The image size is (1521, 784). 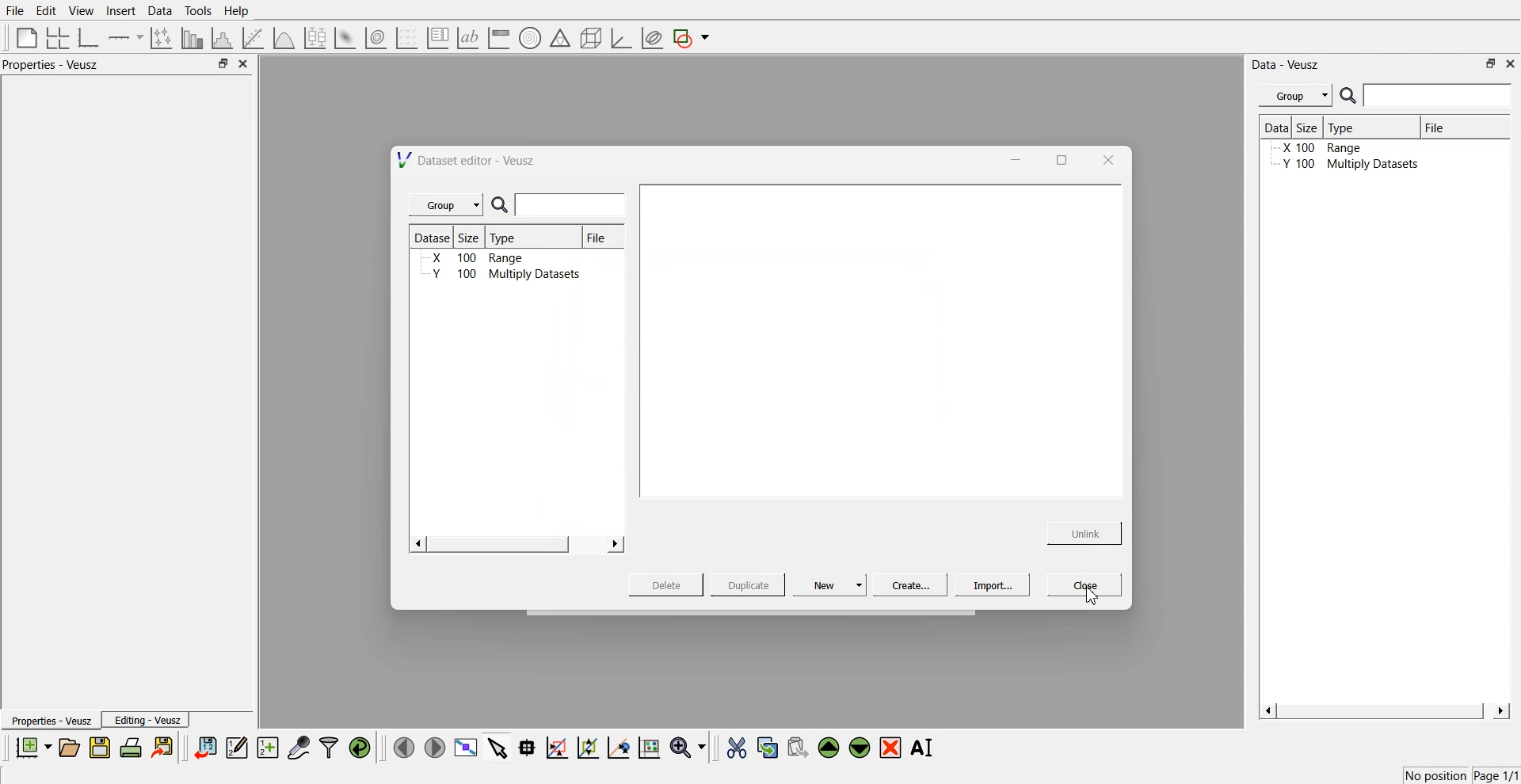 I want to click on Page 1/1, so click(x=1497, y=776).